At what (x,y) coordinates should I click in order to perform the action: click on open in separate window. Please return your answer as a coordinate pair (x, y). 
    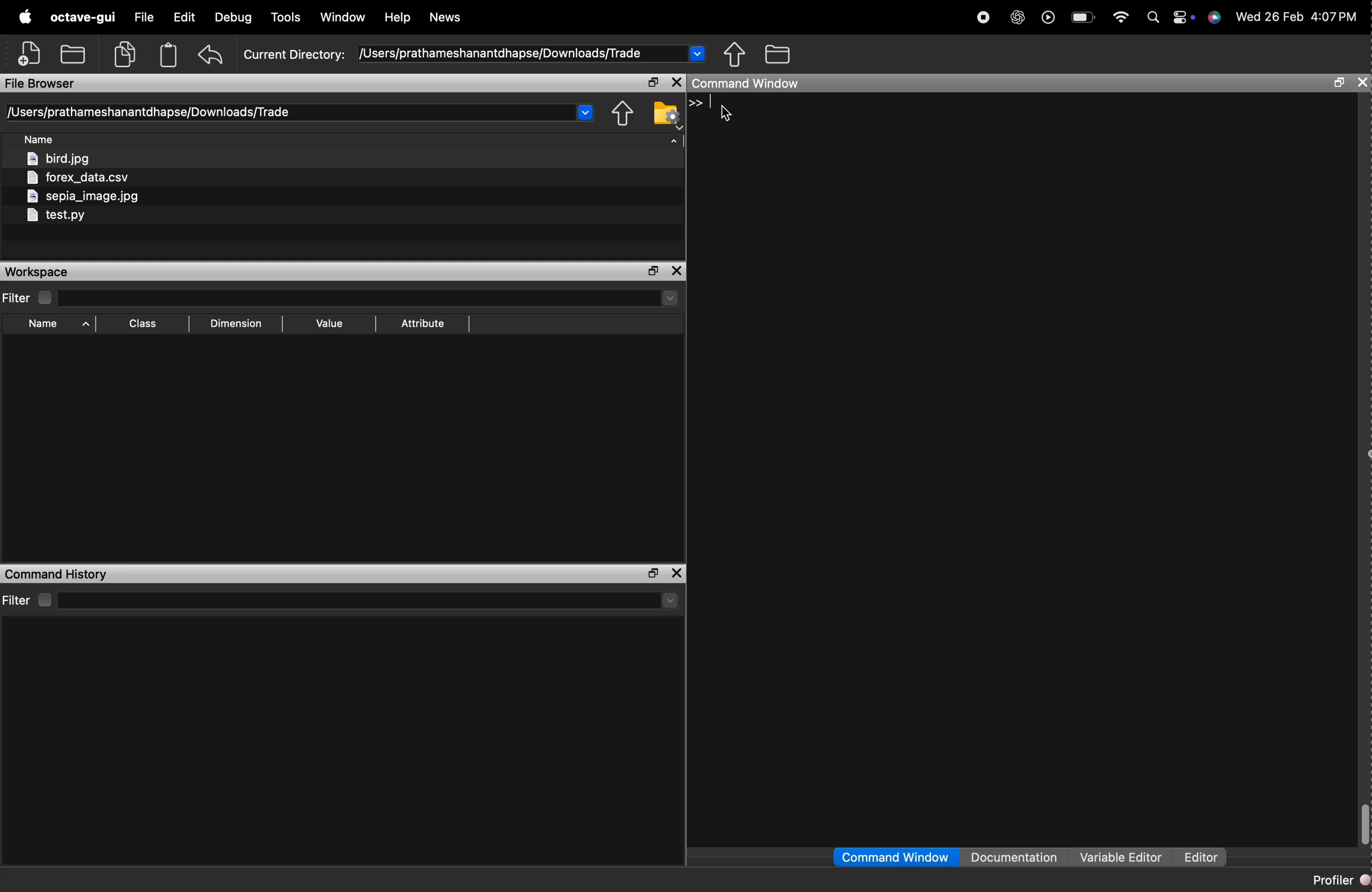
    Looking at the image, I should click on (654, 574).